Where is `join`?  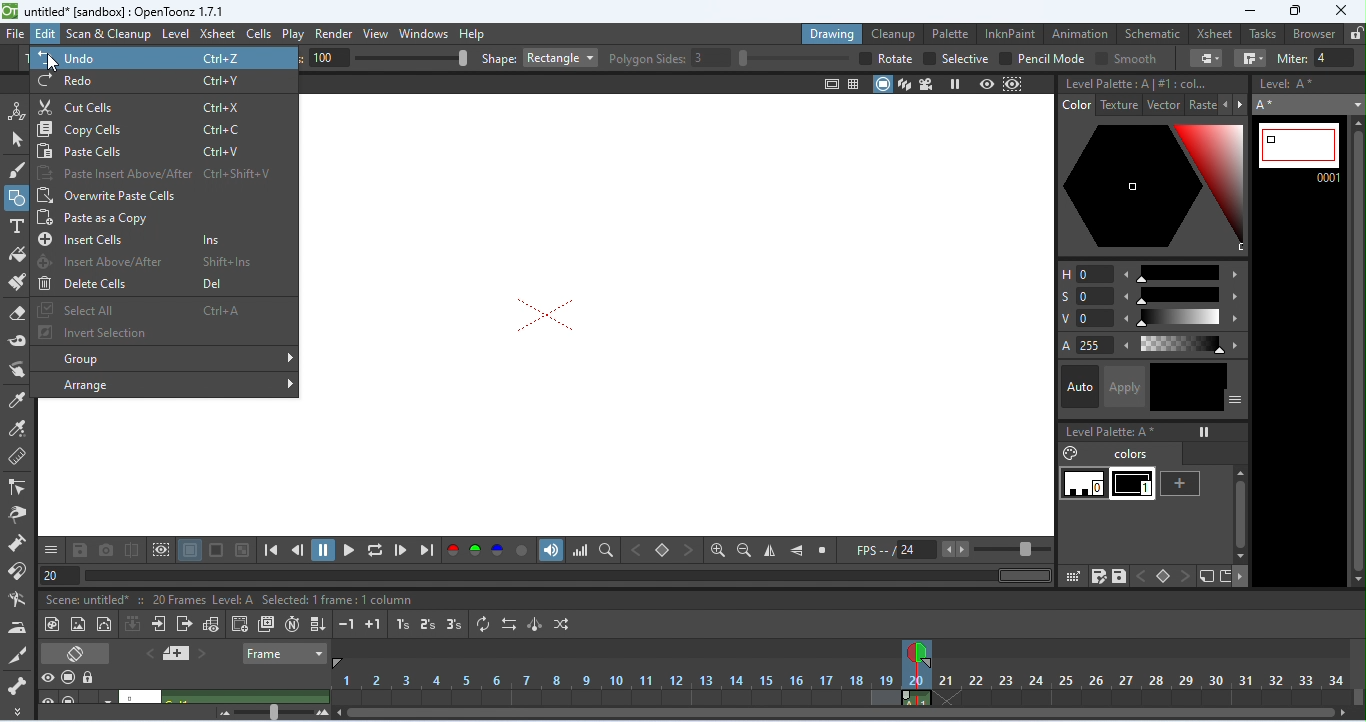 join is located at coordinates (1247, 58).